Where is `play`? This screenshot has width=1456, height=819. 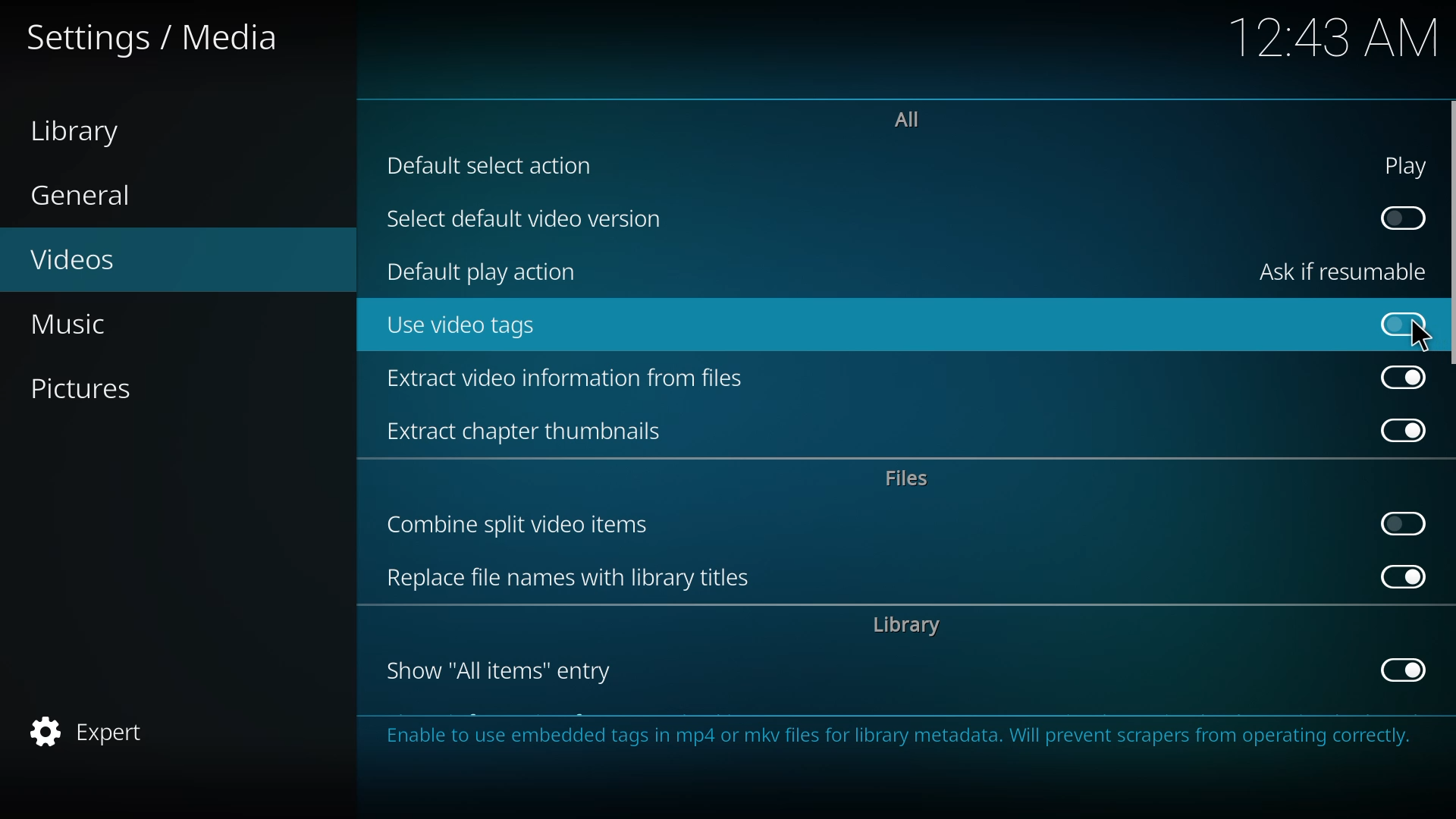 play is located at coordinates (1407, 165).